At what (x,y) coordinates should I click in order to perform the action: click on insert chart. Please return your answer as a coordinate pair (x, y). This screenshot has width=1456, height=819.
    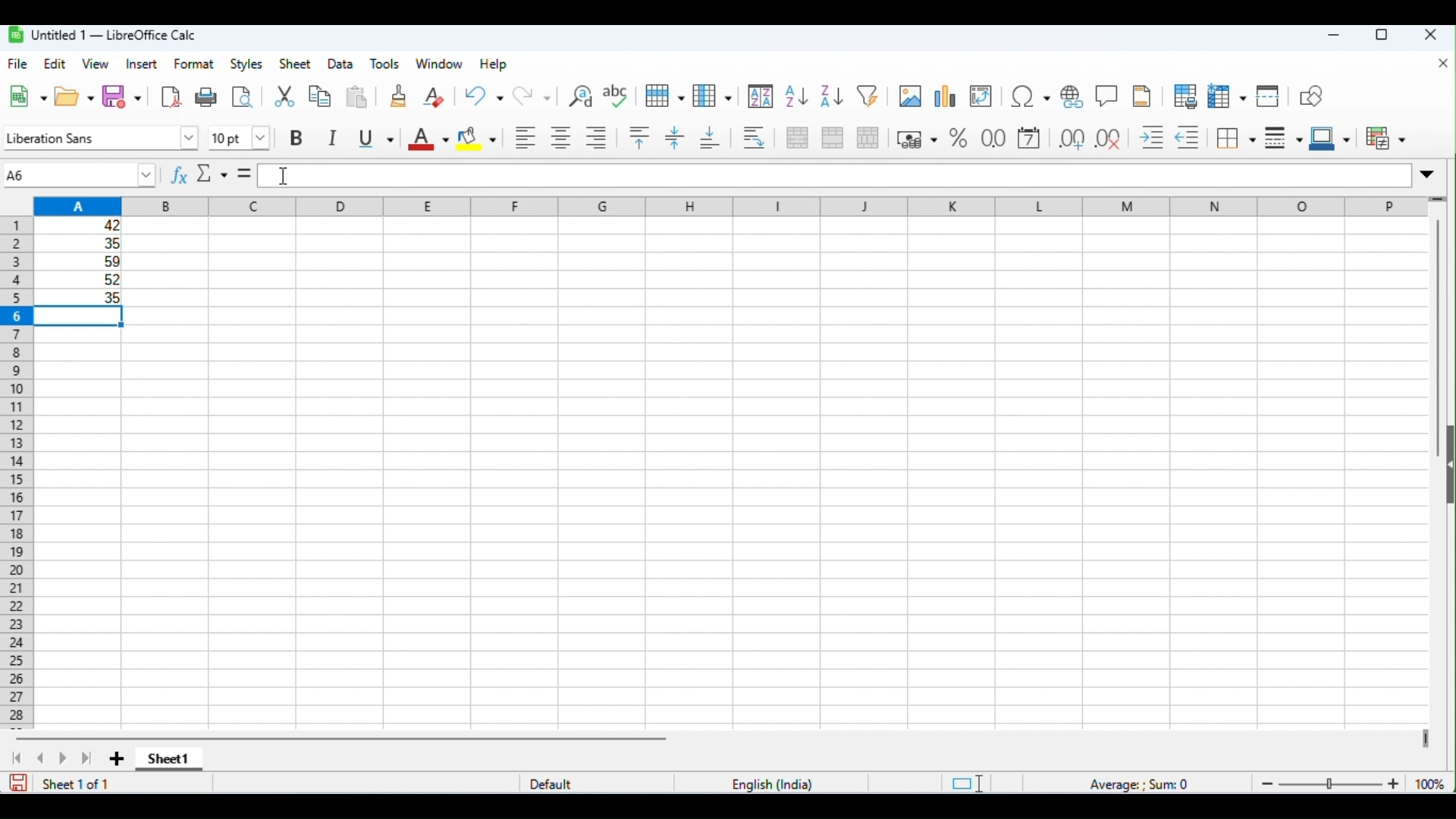
    Looking at the image, I should click on (943, 96).